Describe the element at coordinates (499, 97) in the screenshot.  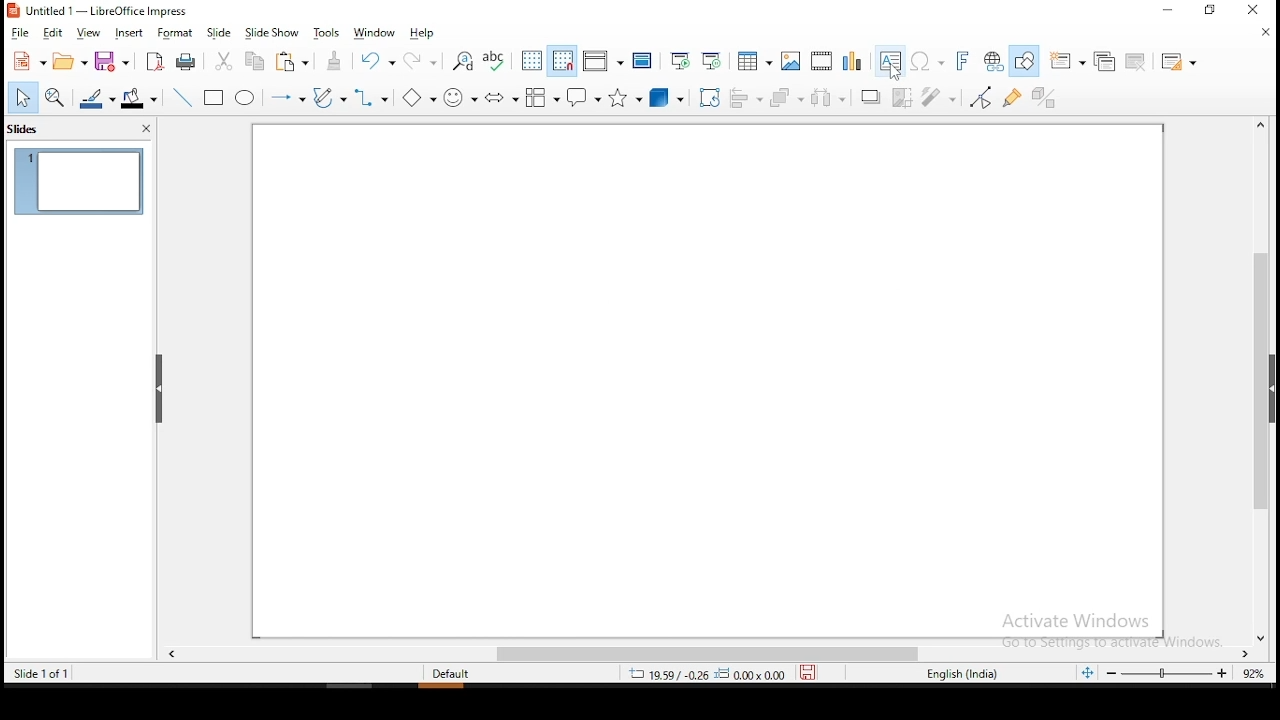
I see `block arrows` at that location.